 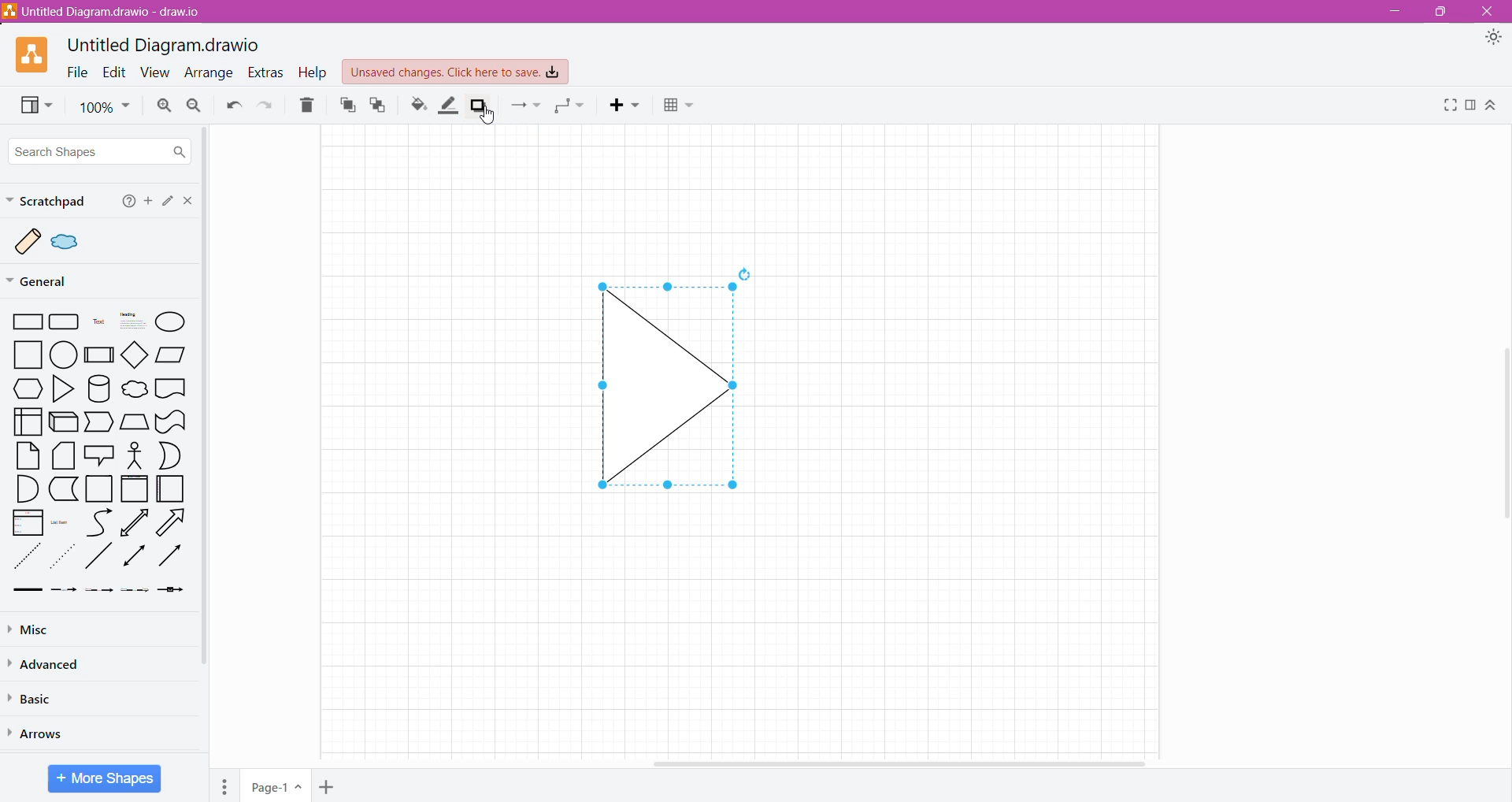 What do you see at coordinates (1488, 11) in the screenshot?
I see `Close` at bounding box center [1488, 11].